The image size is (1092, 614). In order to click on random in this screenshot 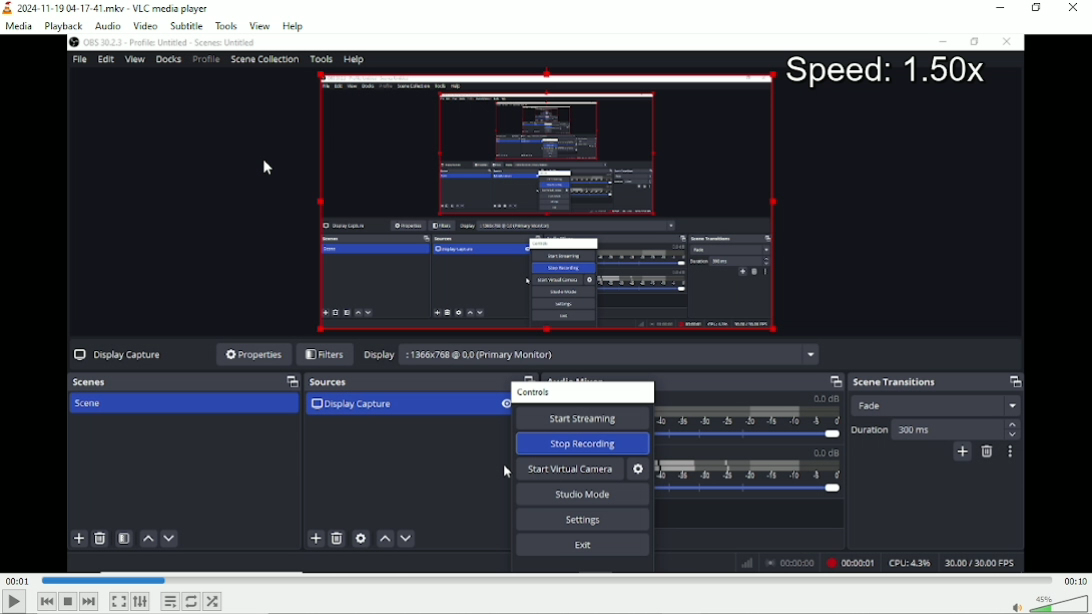, I will do `click(213, 602)`.